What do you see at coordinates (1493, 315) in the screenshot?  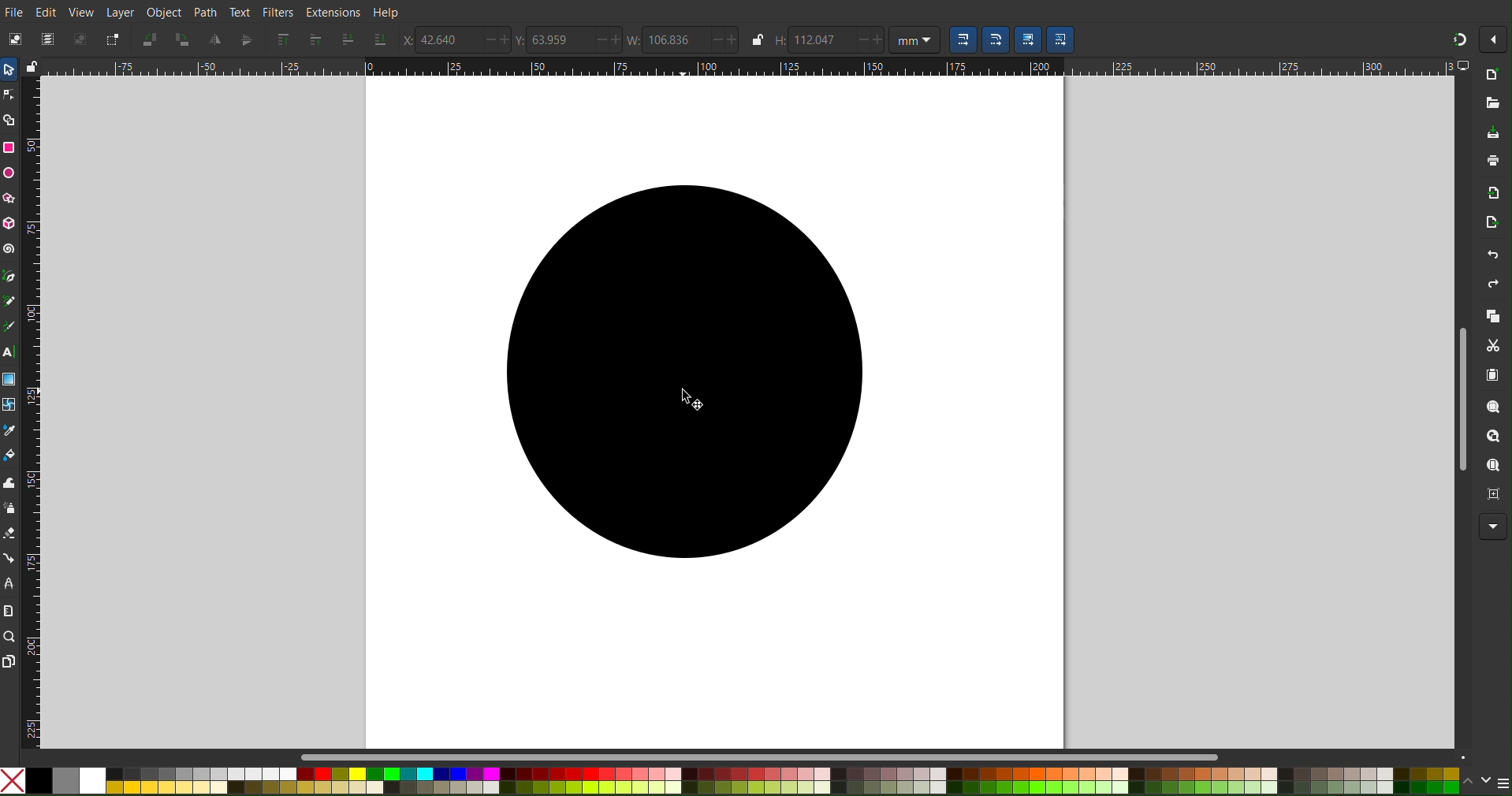 I see `Copy` at bounding box center [1493, 315].